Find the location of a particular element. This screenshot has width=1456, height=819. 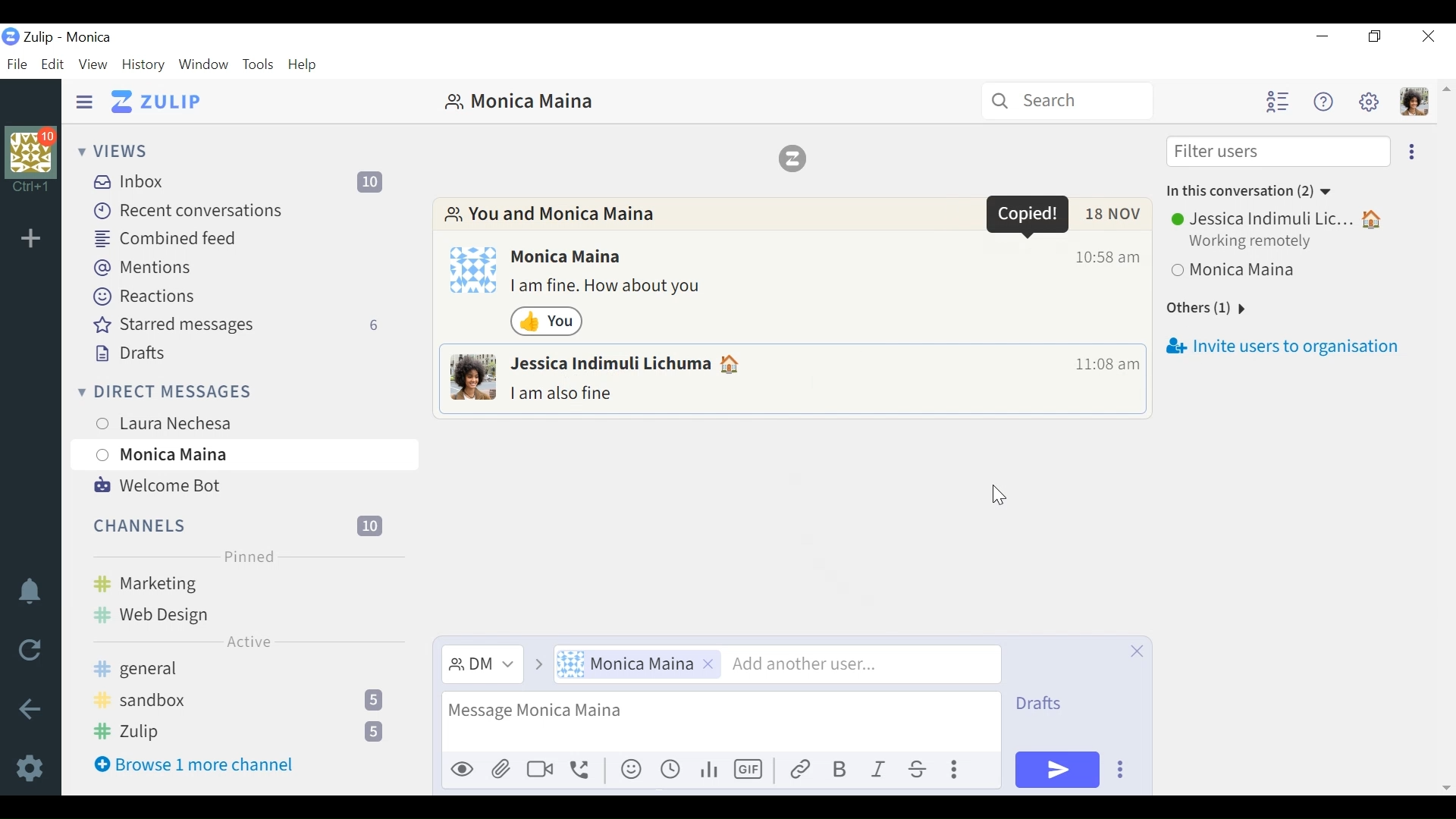

Reactions is located at coordinates (143, 296).